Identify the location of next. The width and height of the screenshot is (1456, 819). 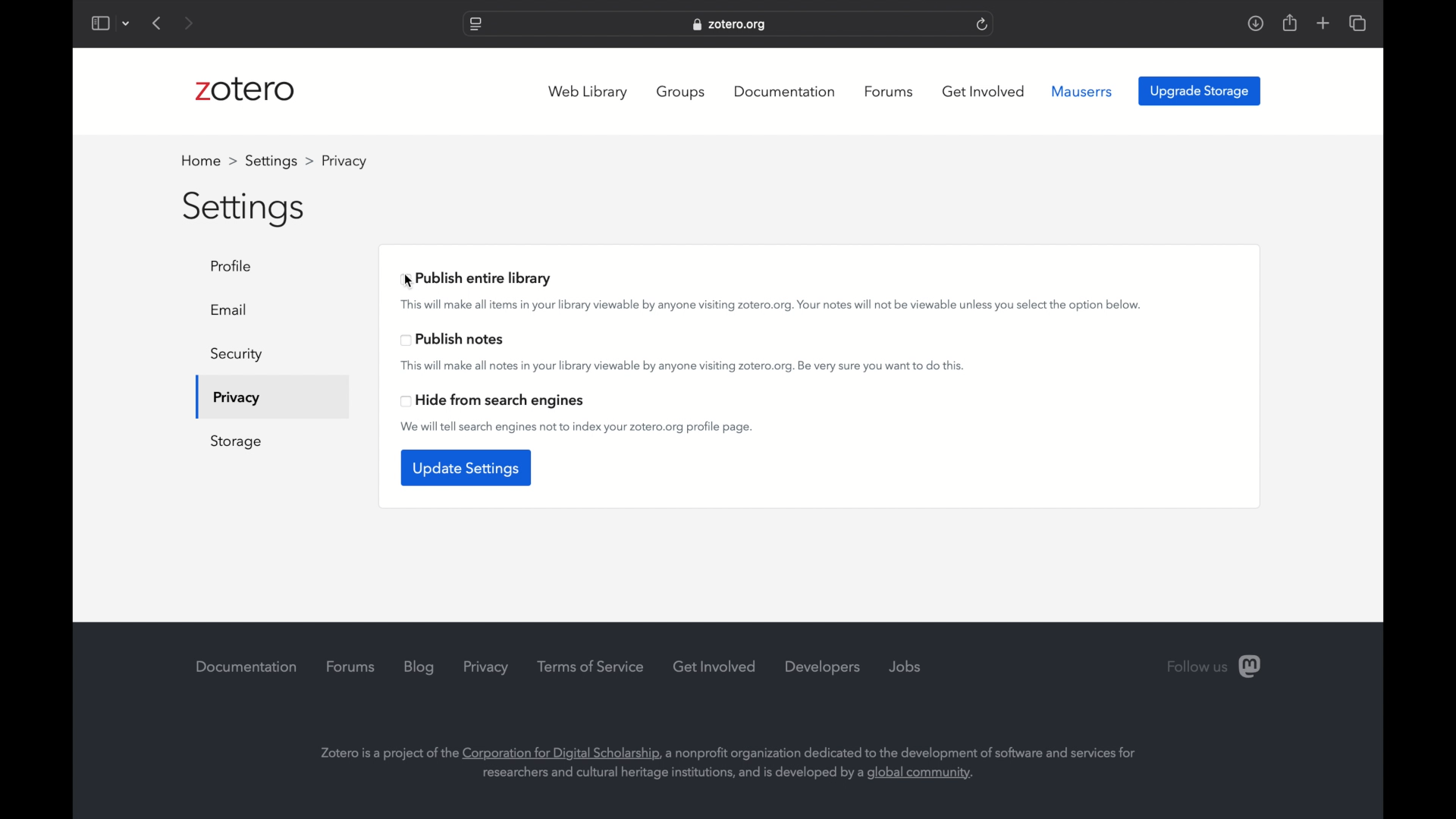
(190, 23).